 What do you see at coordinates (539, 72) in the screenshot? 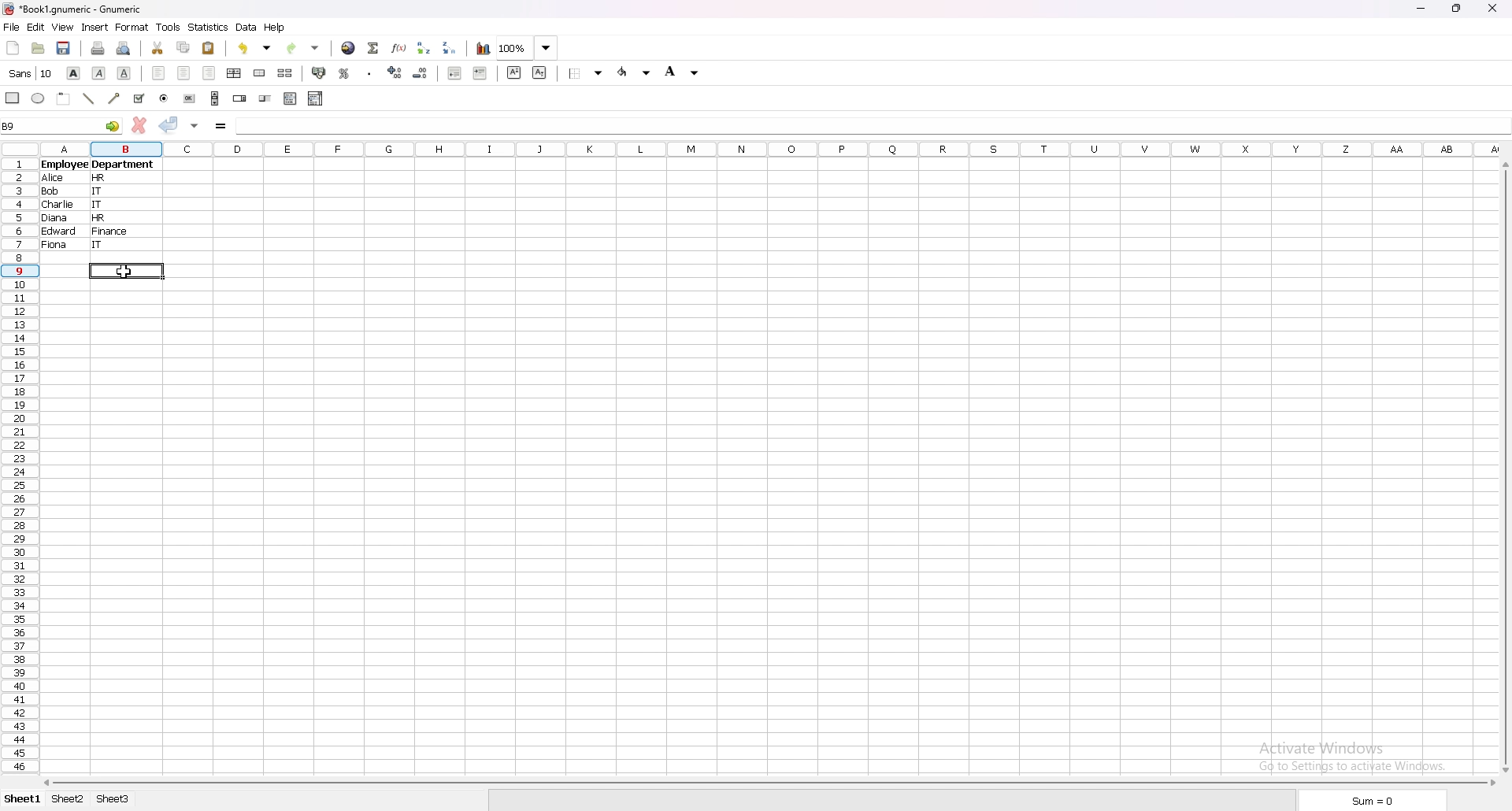
I see `subscript` at bounding box center [539, 72].